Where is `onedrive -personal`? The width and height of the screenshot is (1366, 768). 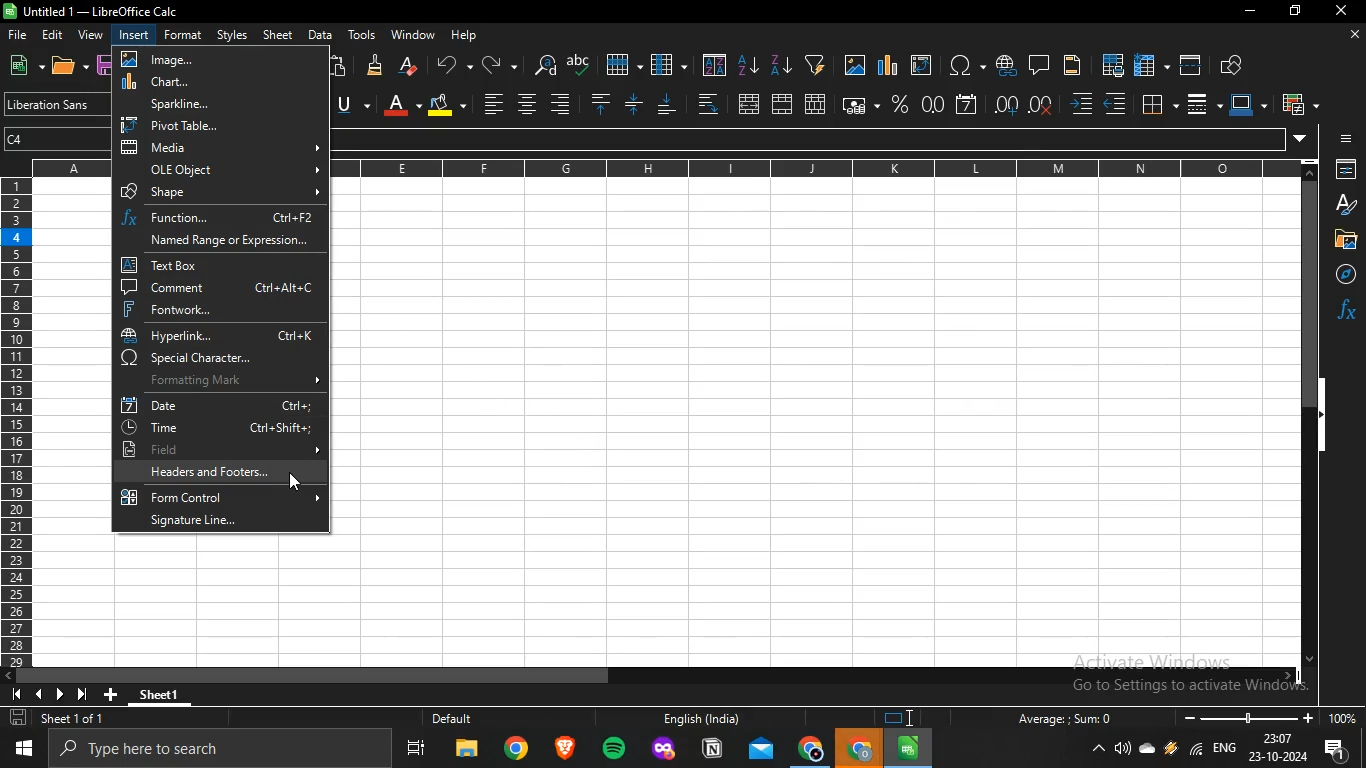
onedrive -personal is located at coordinates (1147, 753).